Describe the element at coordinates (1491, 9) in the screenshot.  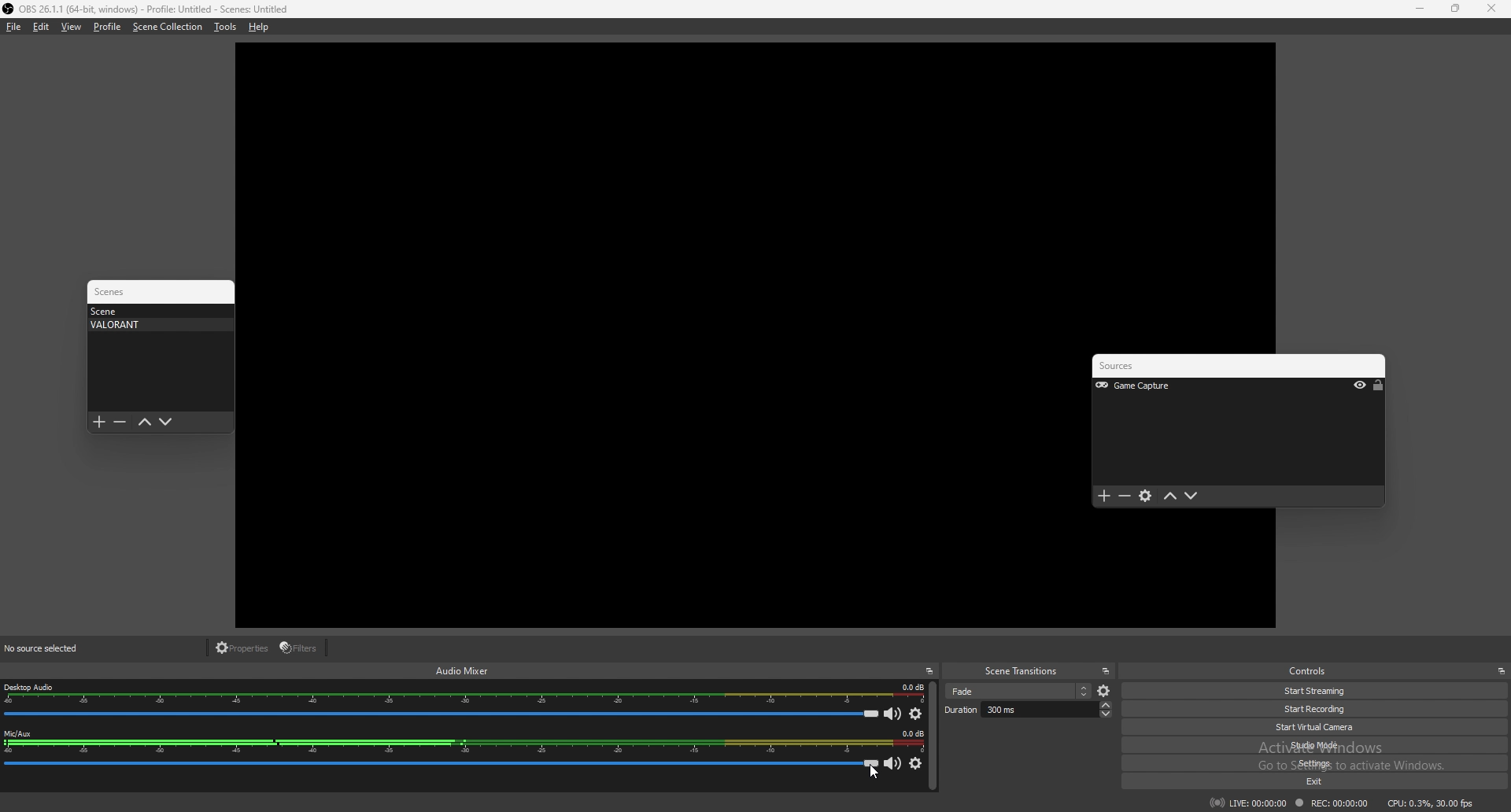
I see `close` at that location.